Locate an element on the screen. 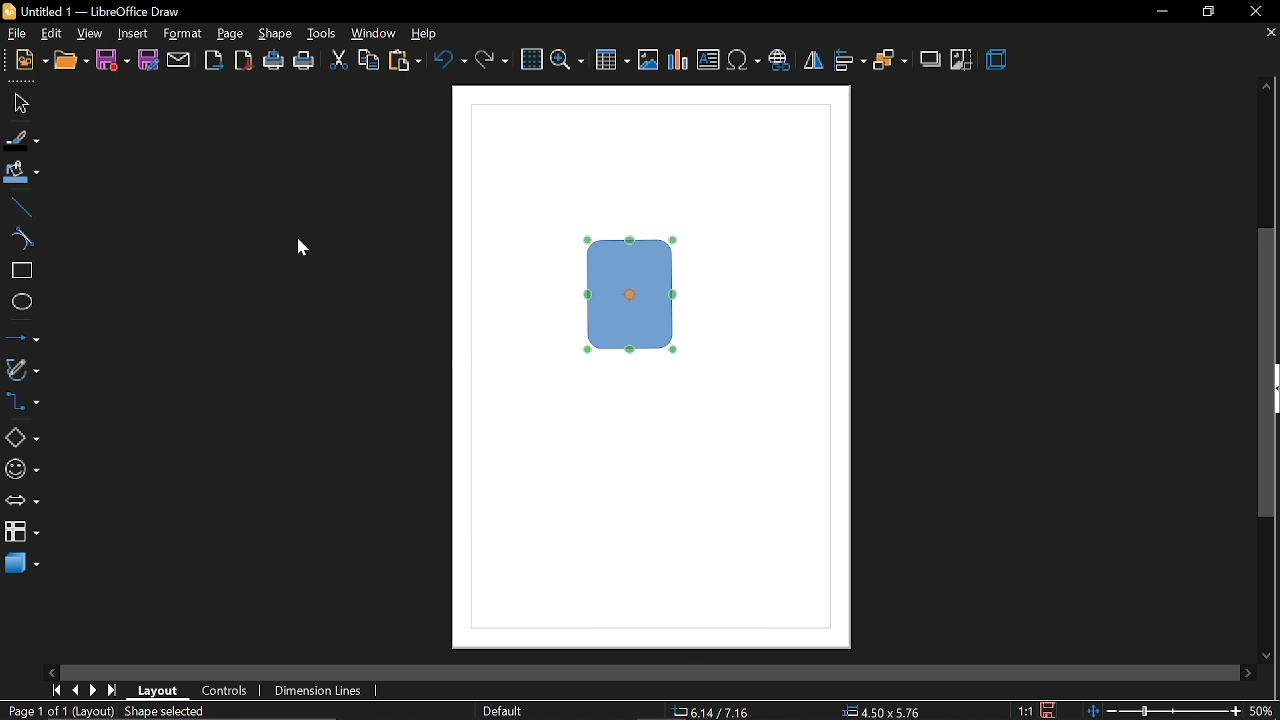 The height and width of the screenshot is (720, 1280). help is located at coordinates (426, 35).